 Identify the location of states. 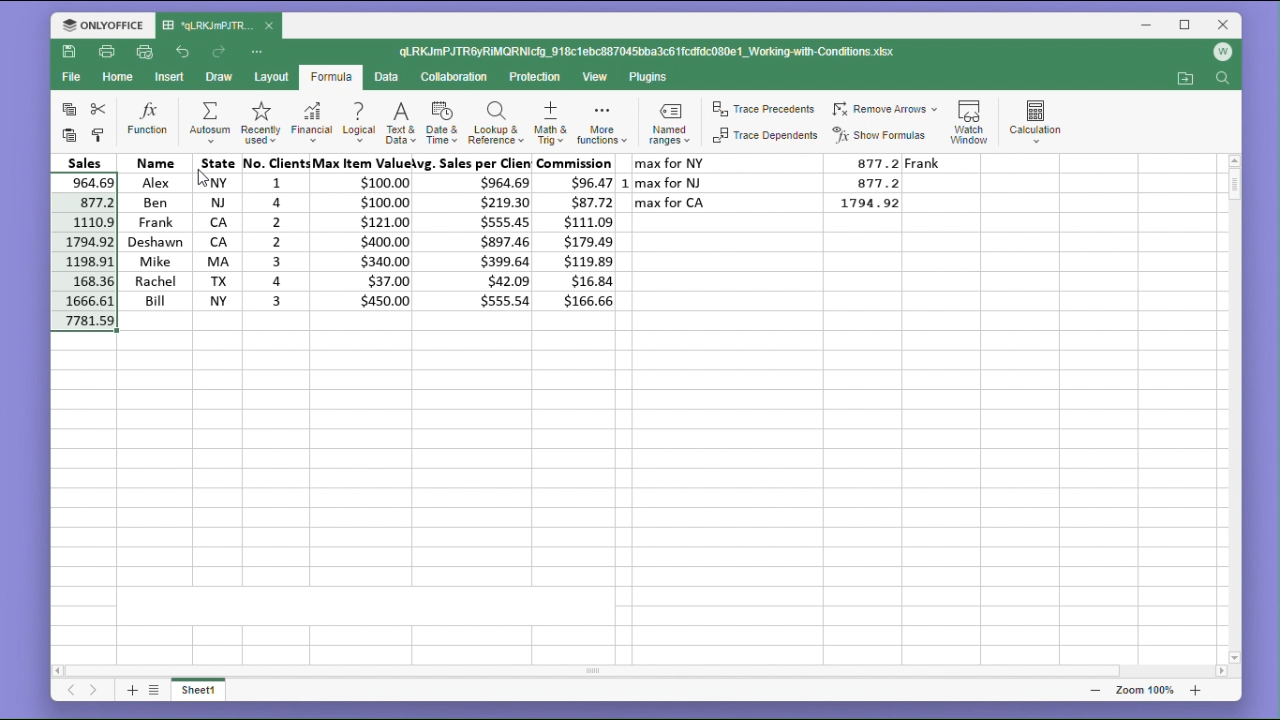
(211, 232).